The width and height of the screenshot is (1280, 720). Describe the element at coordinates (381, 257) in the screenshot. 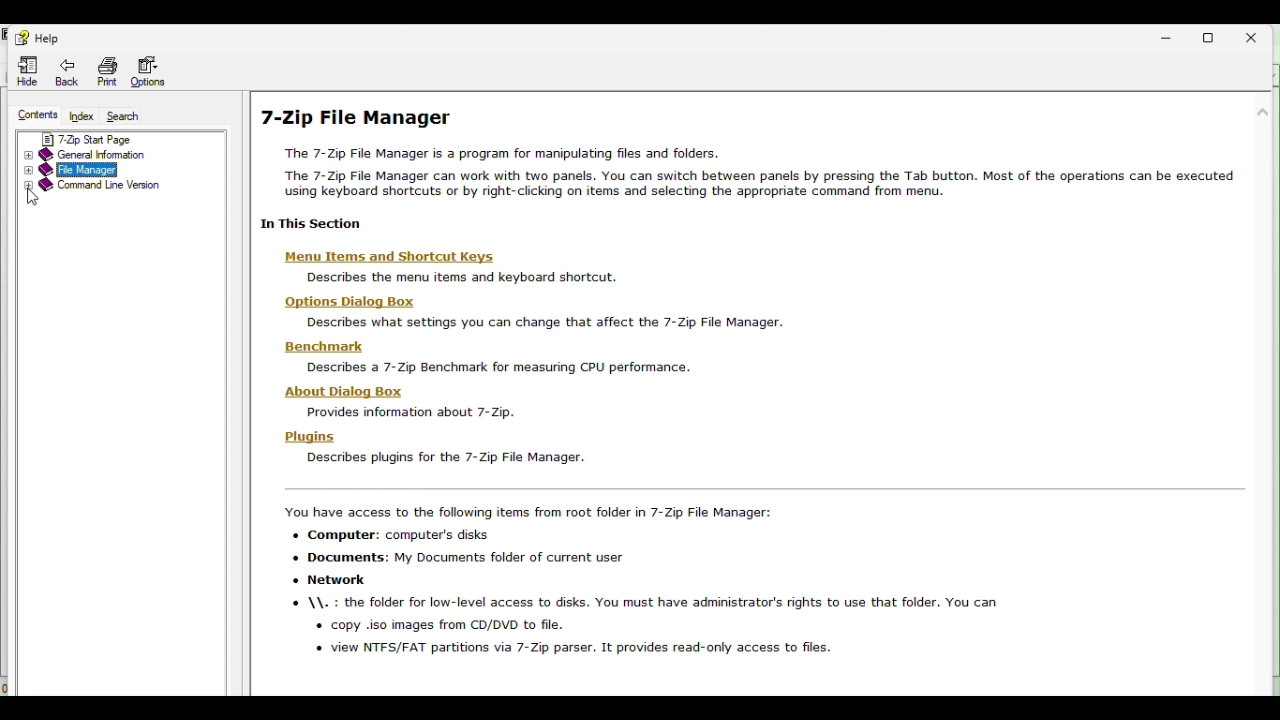

I see `Menu Items and Shortcut Keys` at that location.